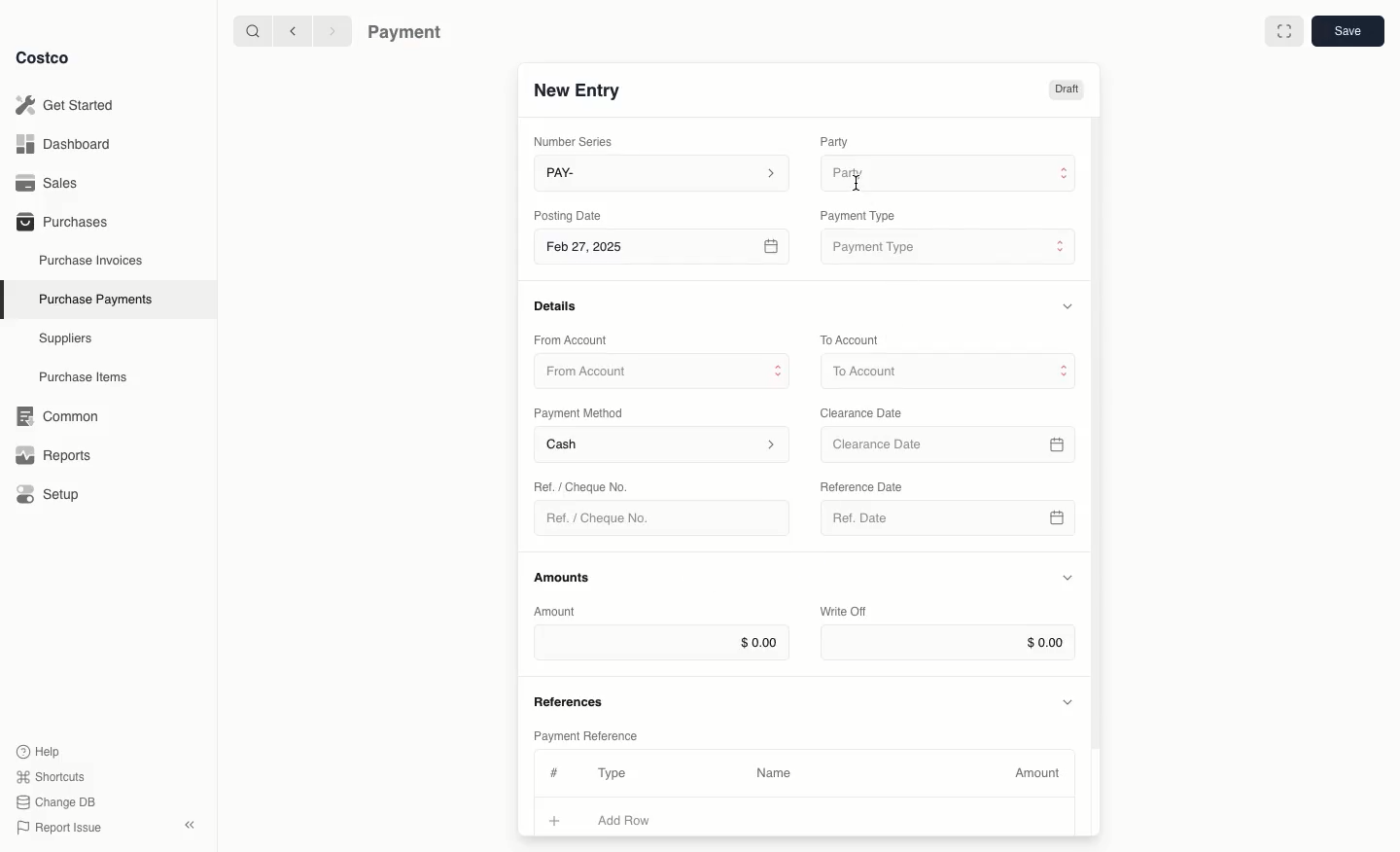 This screenshot has width=1400, height=852. I want to click on PAY-, so click(663, 172).